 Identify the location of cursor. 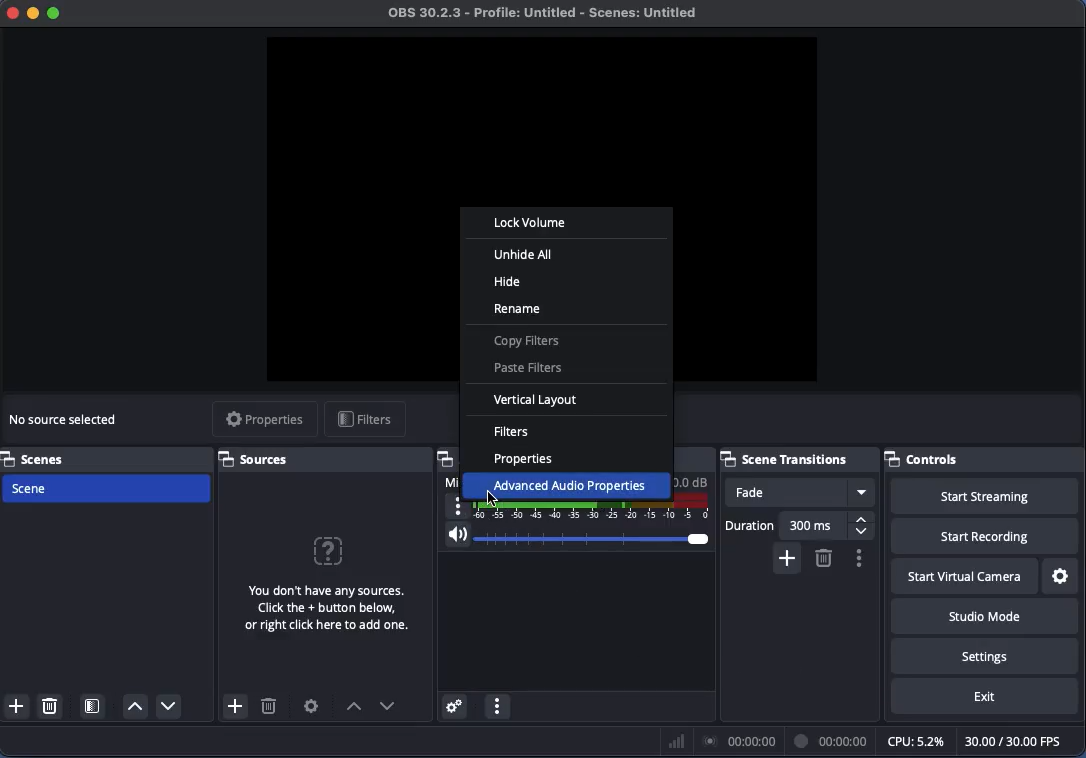
(493, 500).